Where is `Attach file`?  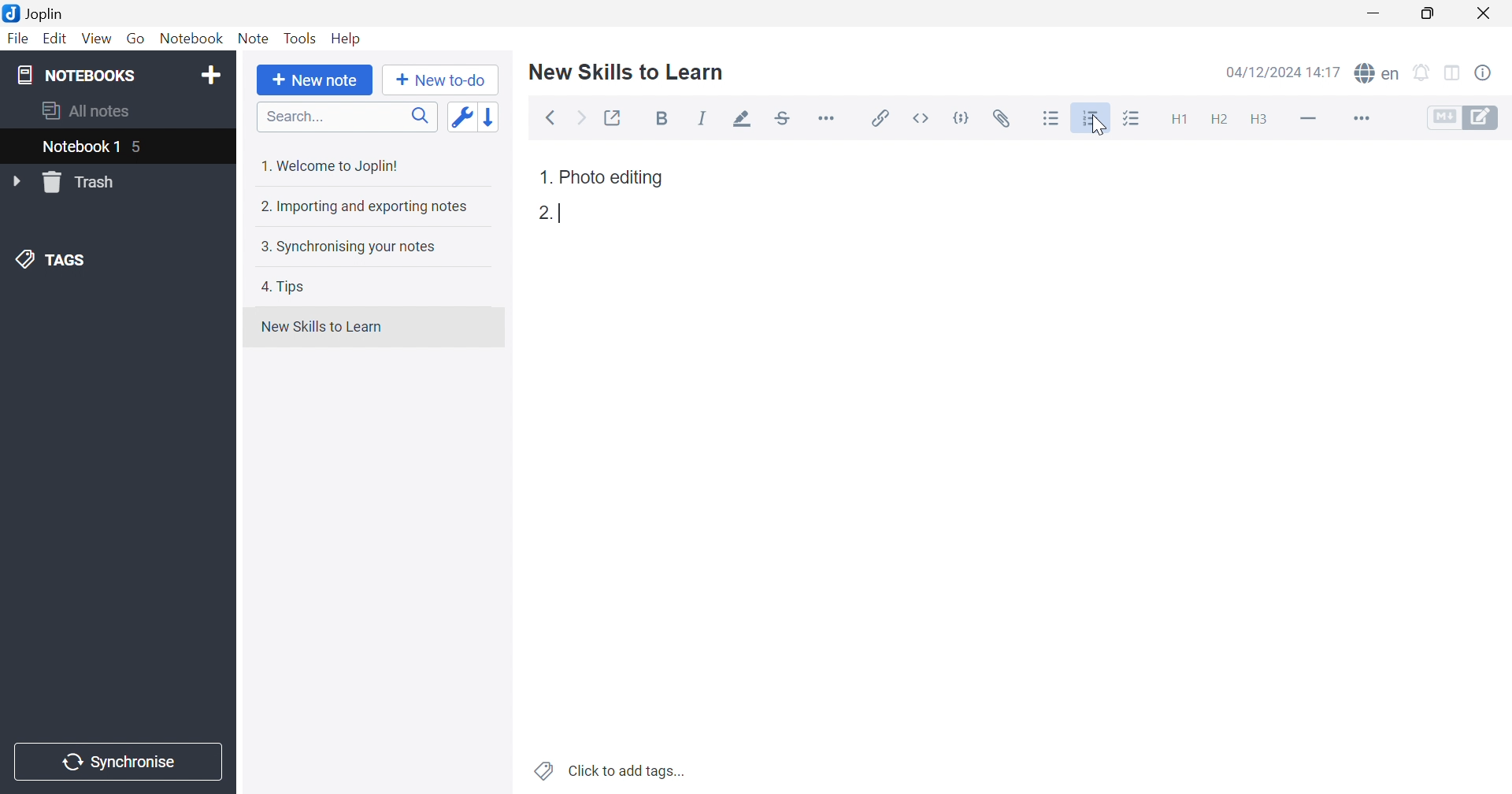
Attach file is located at coordinates (1002, 119).